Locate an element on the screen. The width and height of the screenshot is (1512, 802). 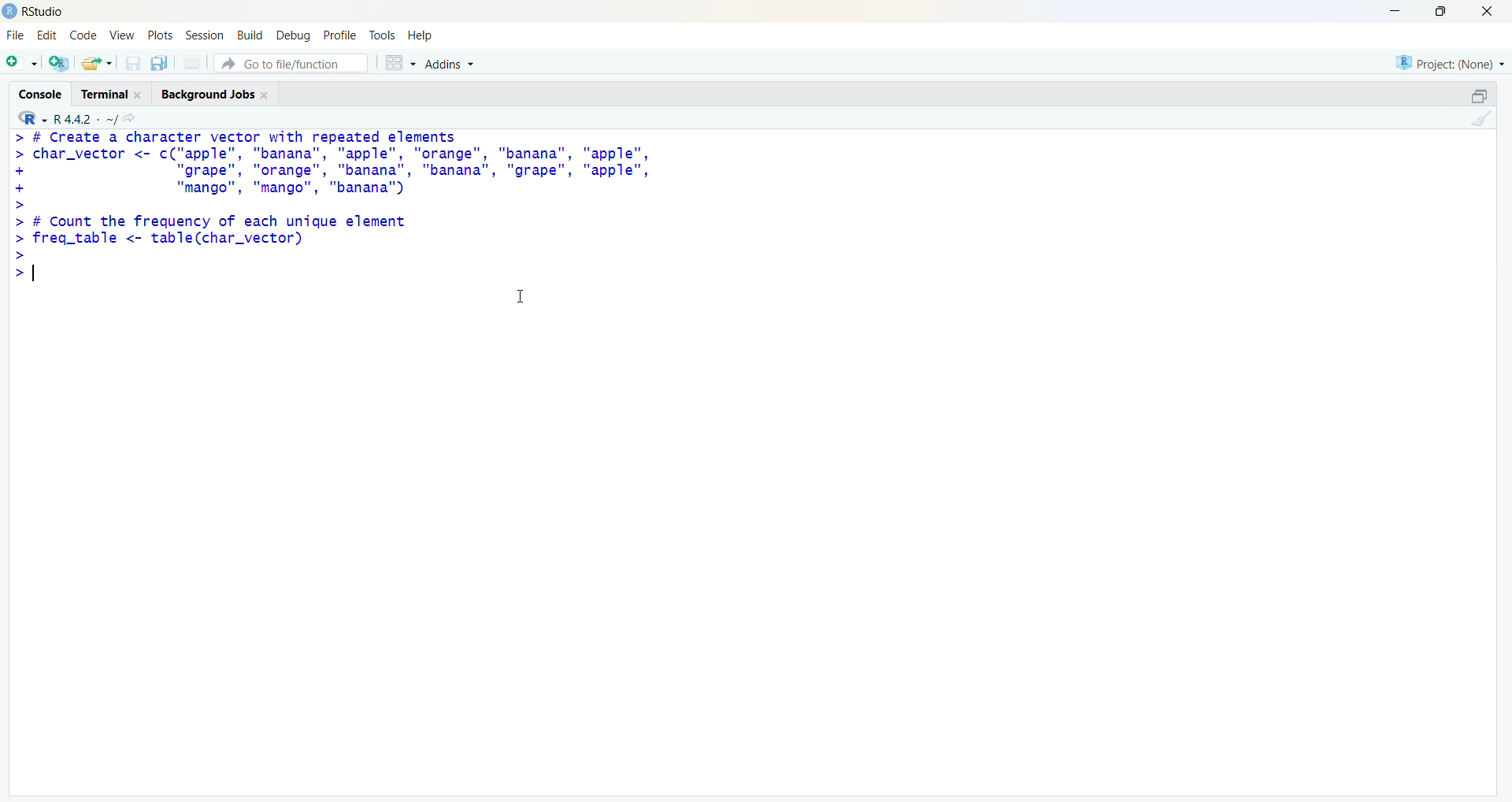
Profile is located at coordinates (340, 36).